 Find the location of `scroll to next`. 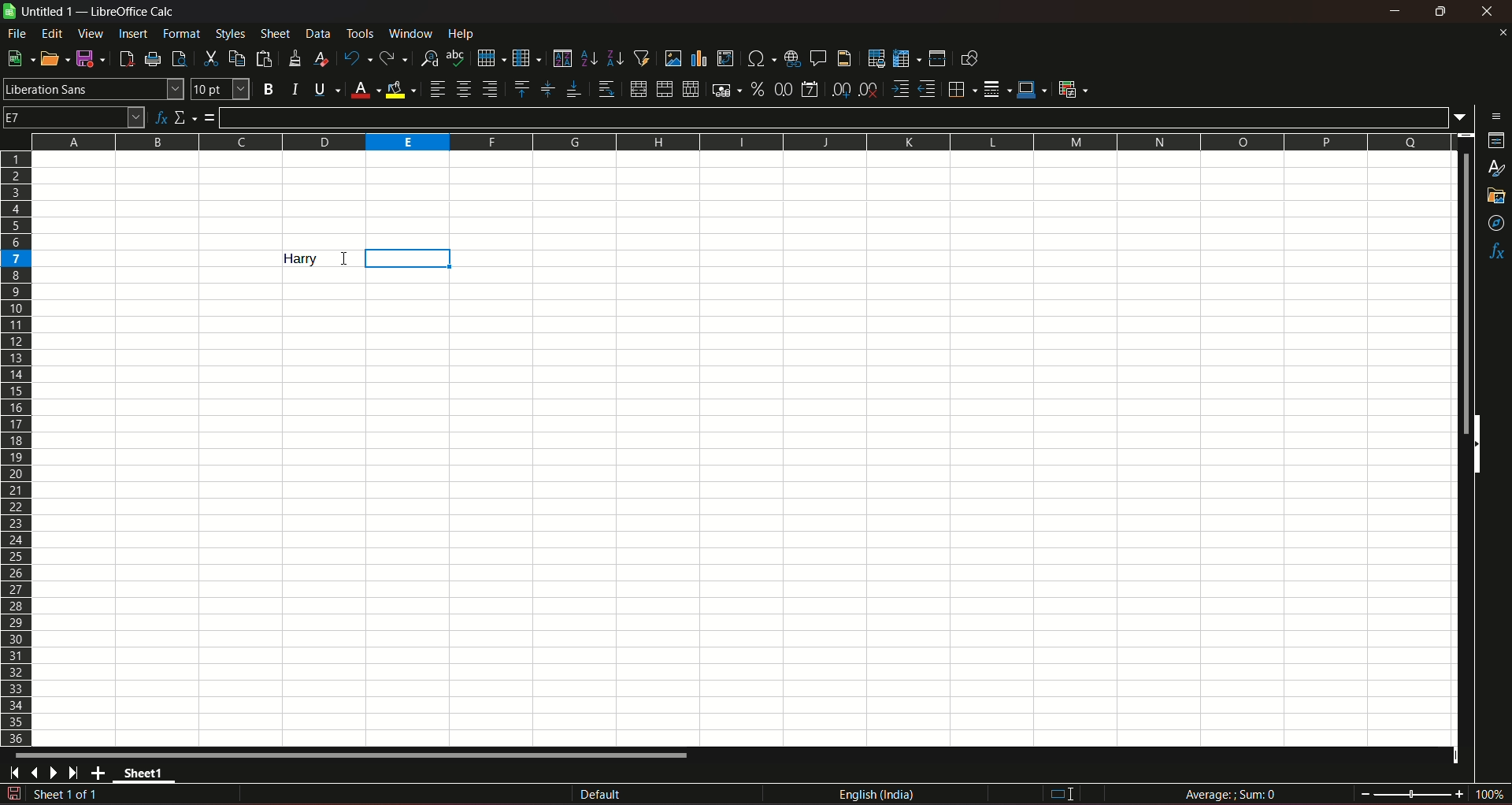

scroll to next is located at coordinates (57, 773).